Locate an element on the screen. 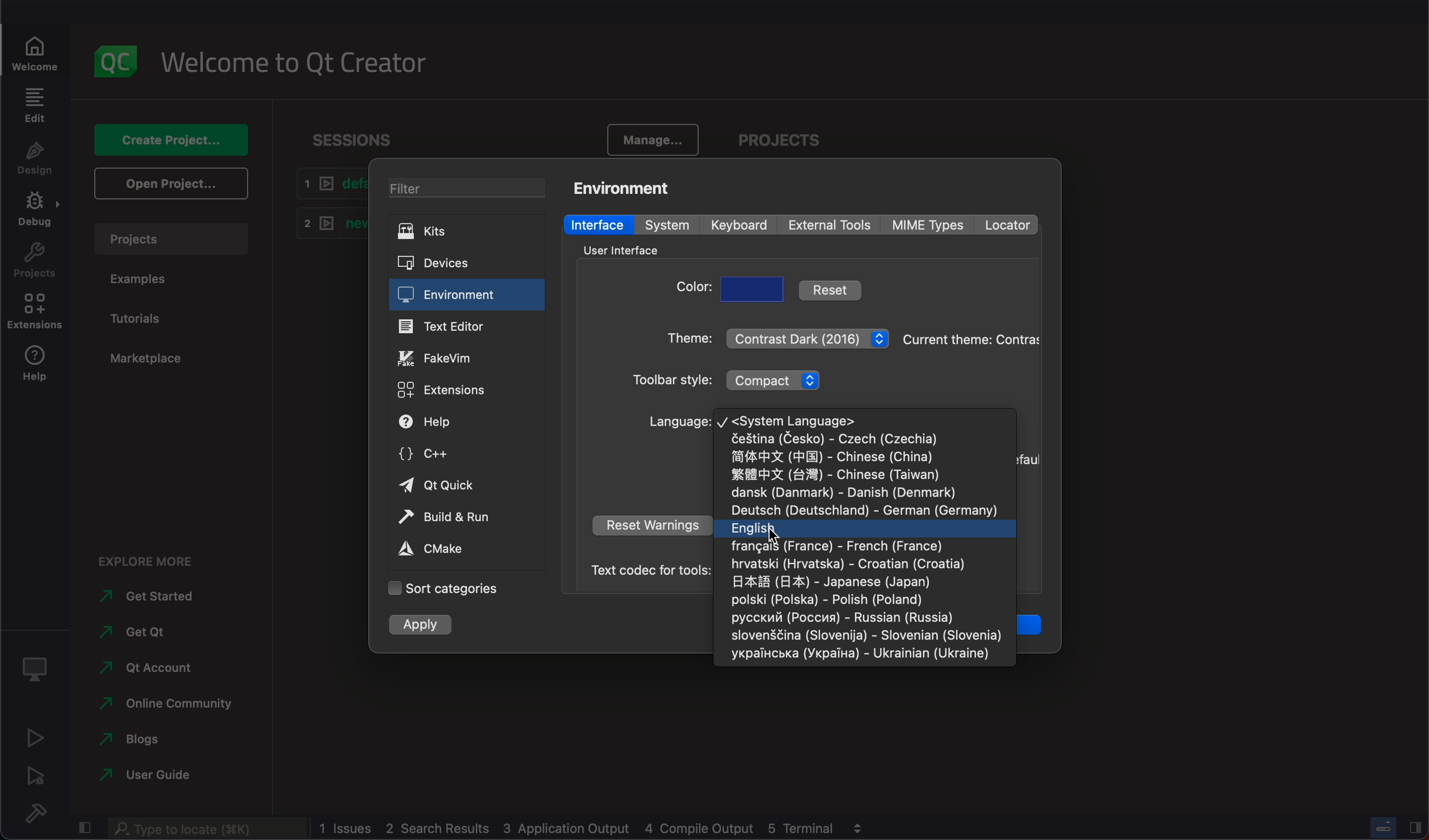 Image resolution: width=1429 pixels, height=840 pixels. slovenia is located at coordinates (865, 635).